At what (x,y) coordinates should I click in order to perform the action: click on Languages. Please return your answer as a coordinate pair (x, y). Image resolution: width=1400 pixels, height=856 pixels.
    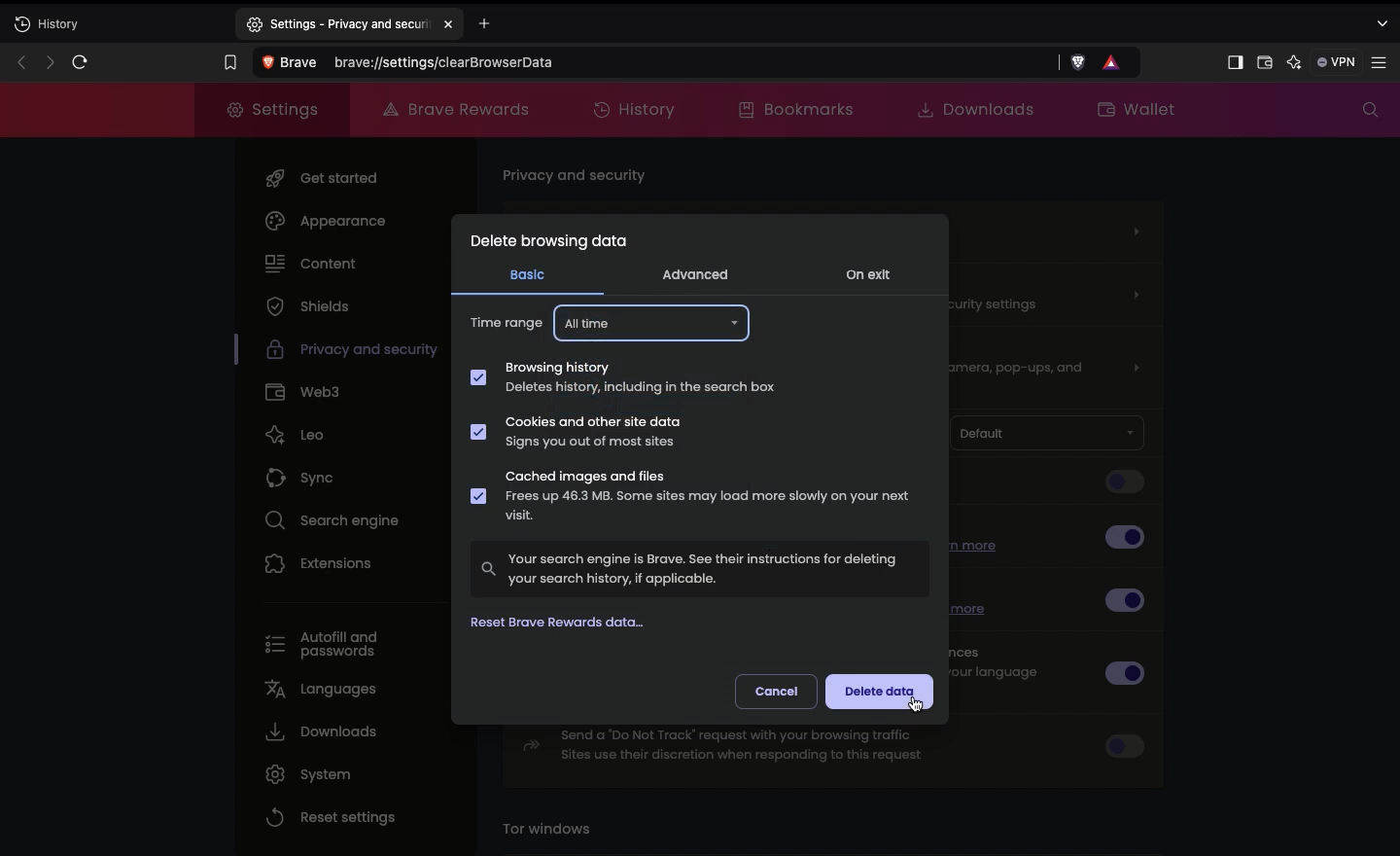
    Looking at the image, I should click on (324, 692).